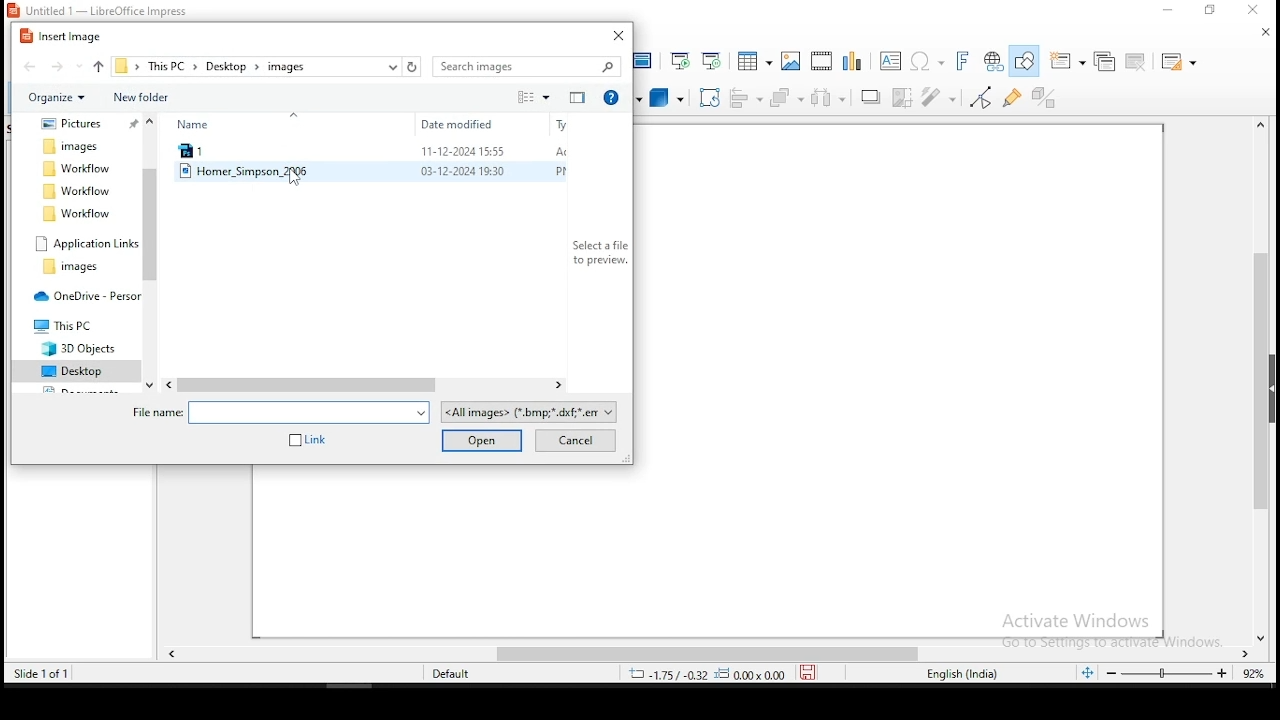 This screenshot has width=1280, height=720. I want to click on organize, so click(58, 98).